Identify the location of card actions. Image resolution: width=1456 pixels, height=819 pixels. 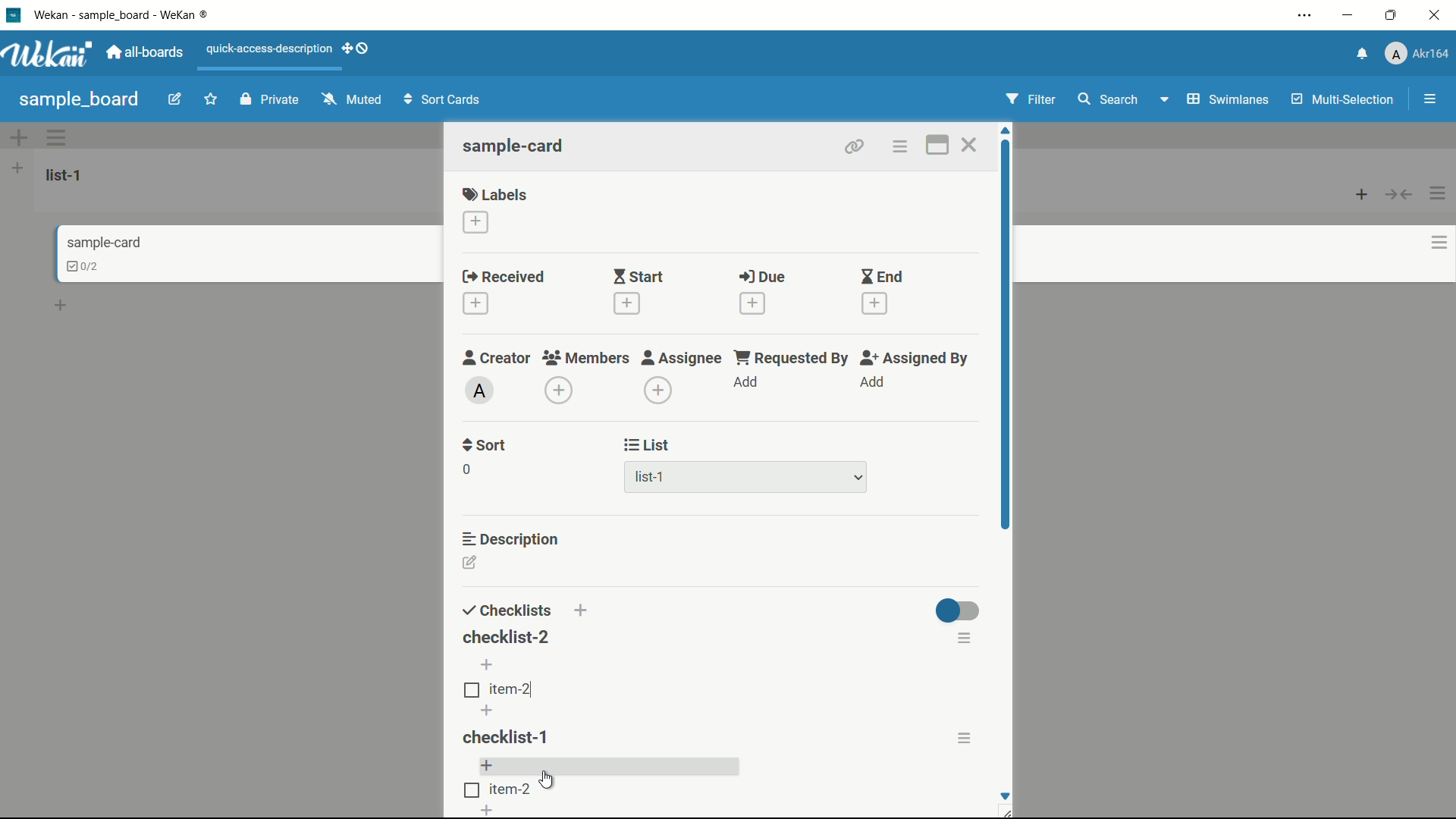
(899, 147).